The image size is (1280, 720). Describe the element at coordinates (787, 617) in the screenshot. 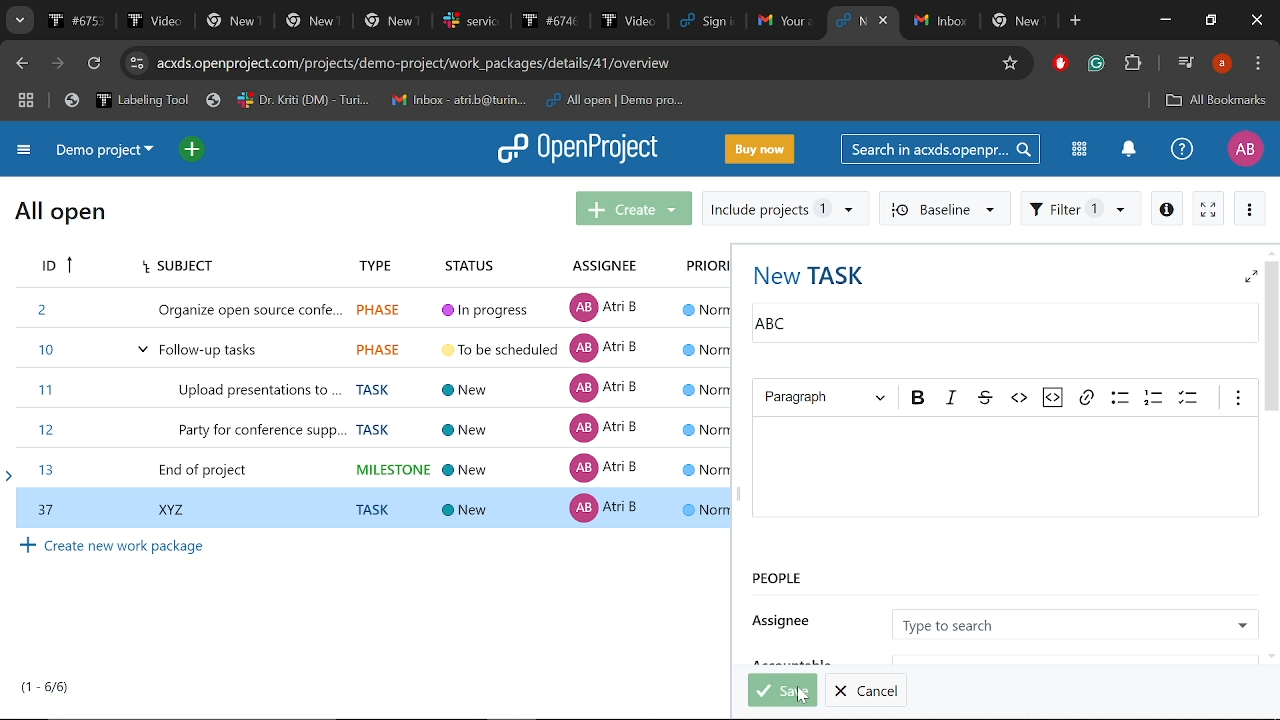

I see `assignee` at that location.